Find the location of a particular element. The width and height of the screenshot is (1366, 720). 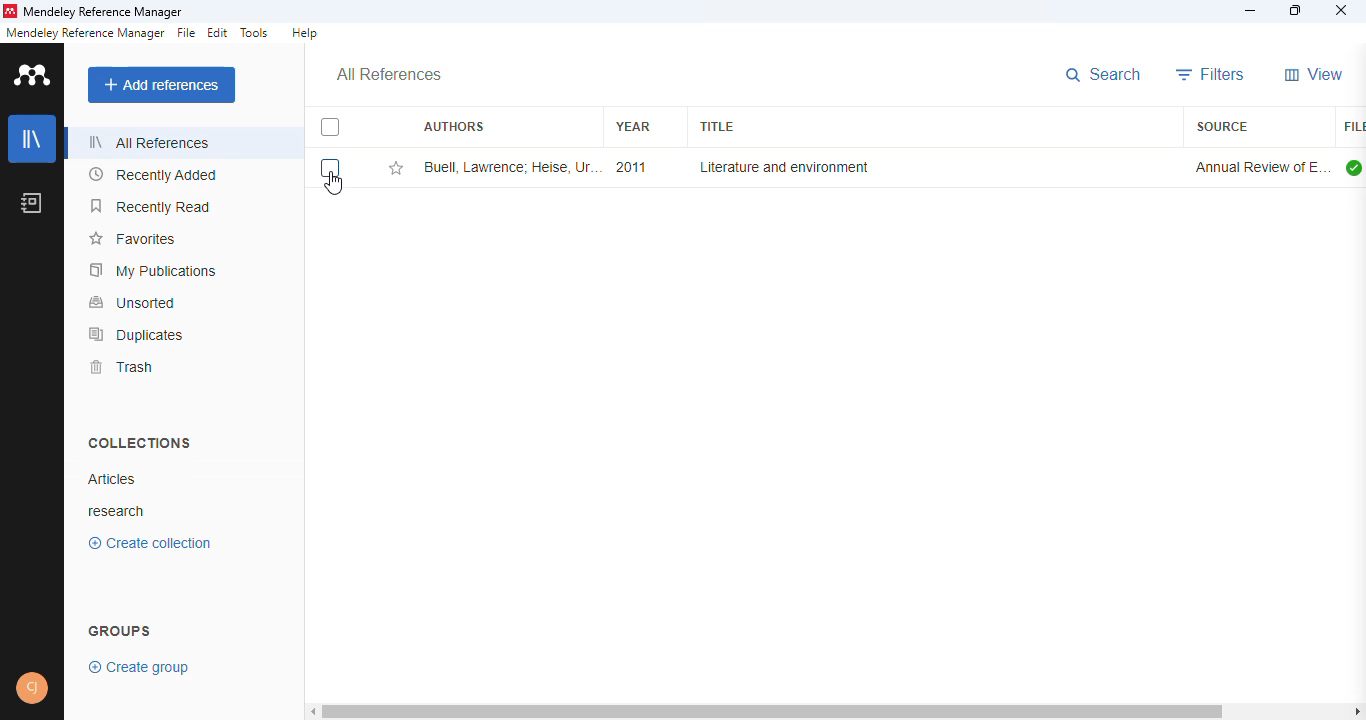

file is located at coordinates (1353, 127).